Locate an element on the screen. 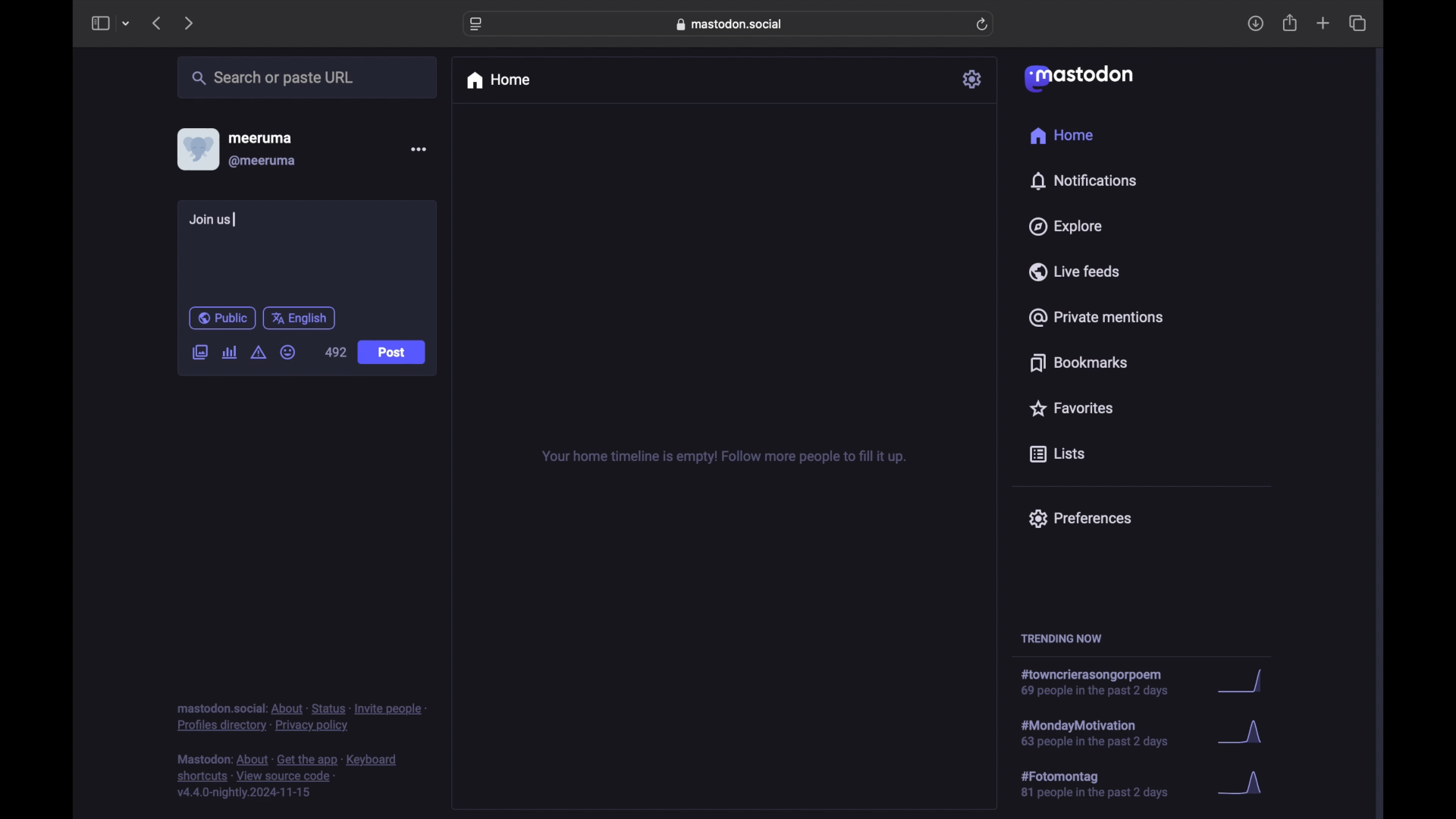 The width and height of the screenshot is (1456, 819). share is located at coordinates (1291, 24).